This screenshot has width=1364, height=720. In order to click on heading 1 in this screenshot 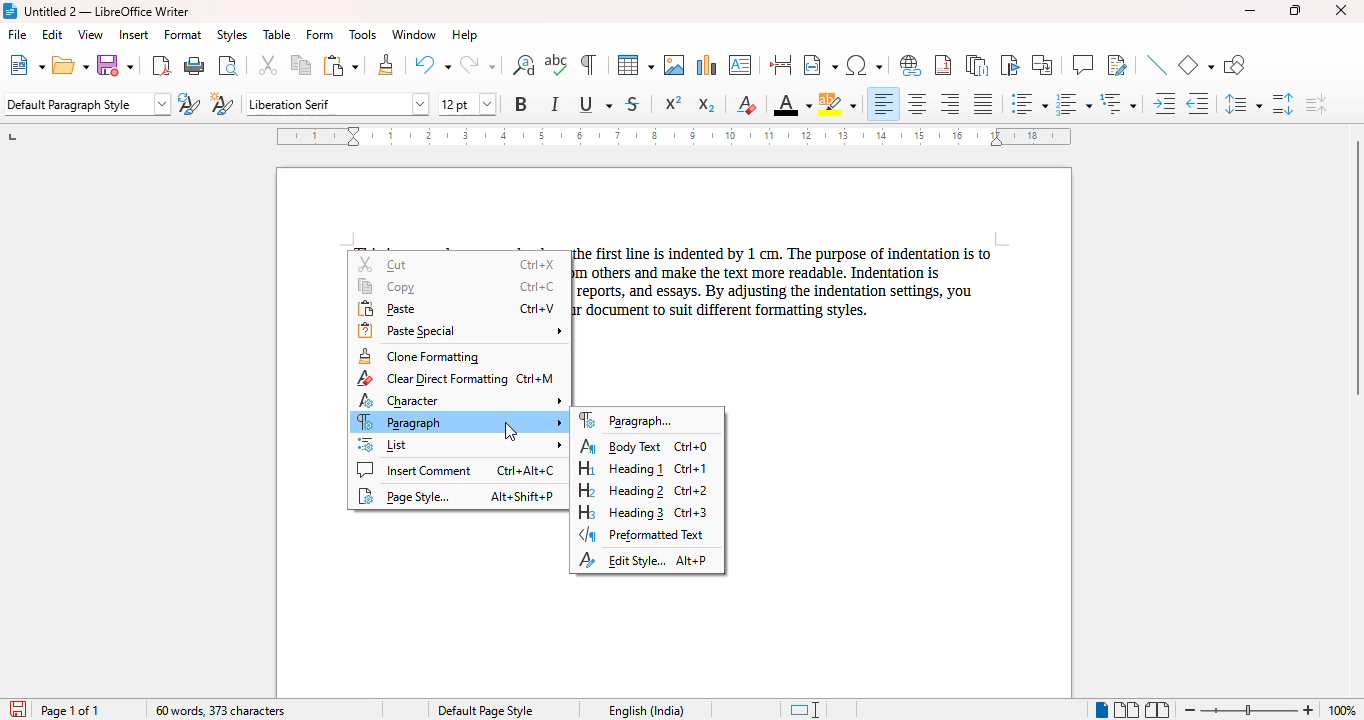, I will do `click(642, 469)`.